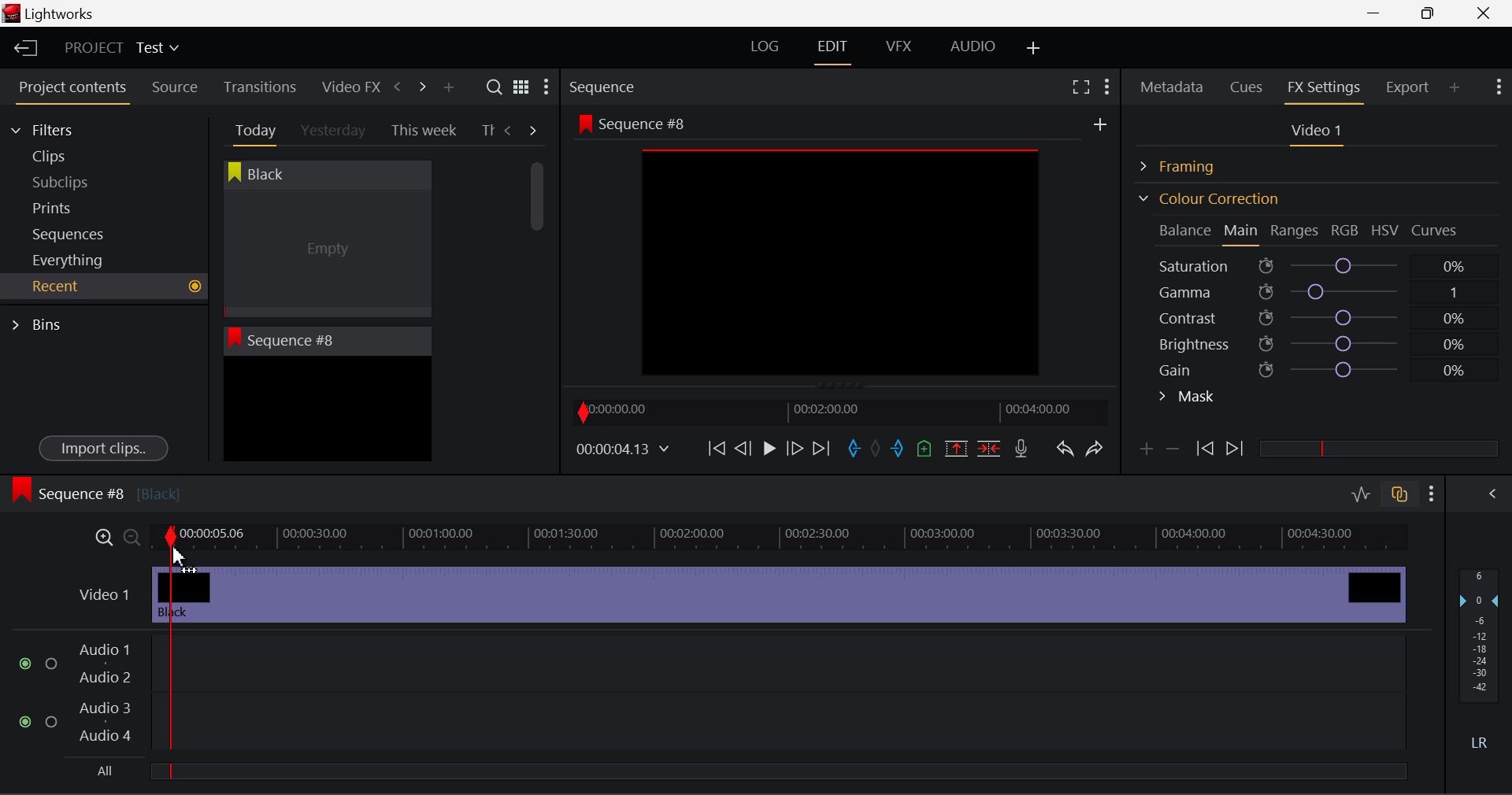 The height and width of the screenshot is (795, 1512). Describe the element at coordinates (1190, 164) in the screenshot. I see `Framing Section` at that location.